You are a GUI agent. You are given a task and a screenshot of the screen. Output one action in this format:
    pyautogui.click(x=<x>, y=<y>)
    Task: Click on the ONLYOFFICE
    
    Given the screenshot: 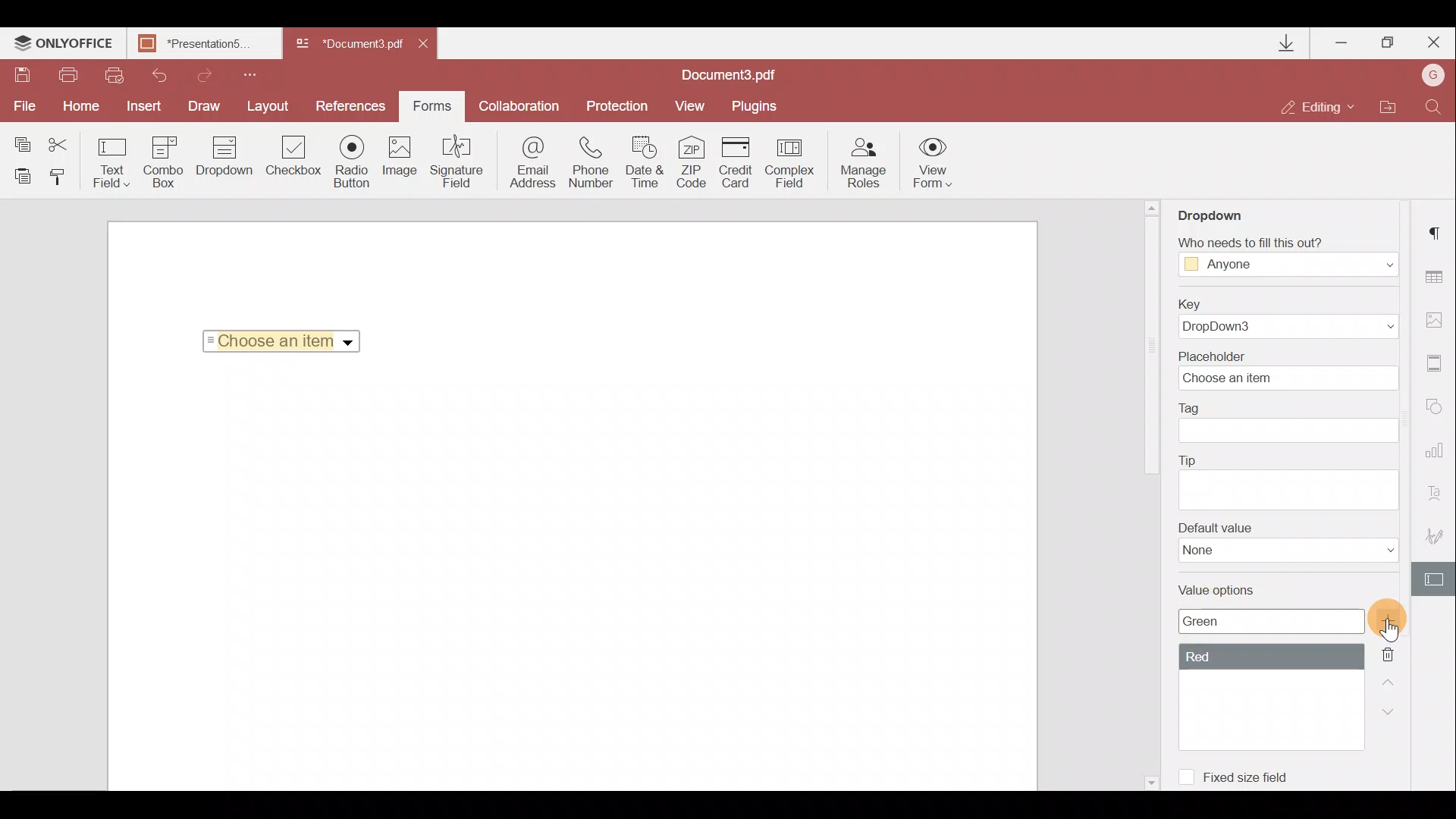 What is the action you would take?
    pyautogui.click(x=64, y=45)
    